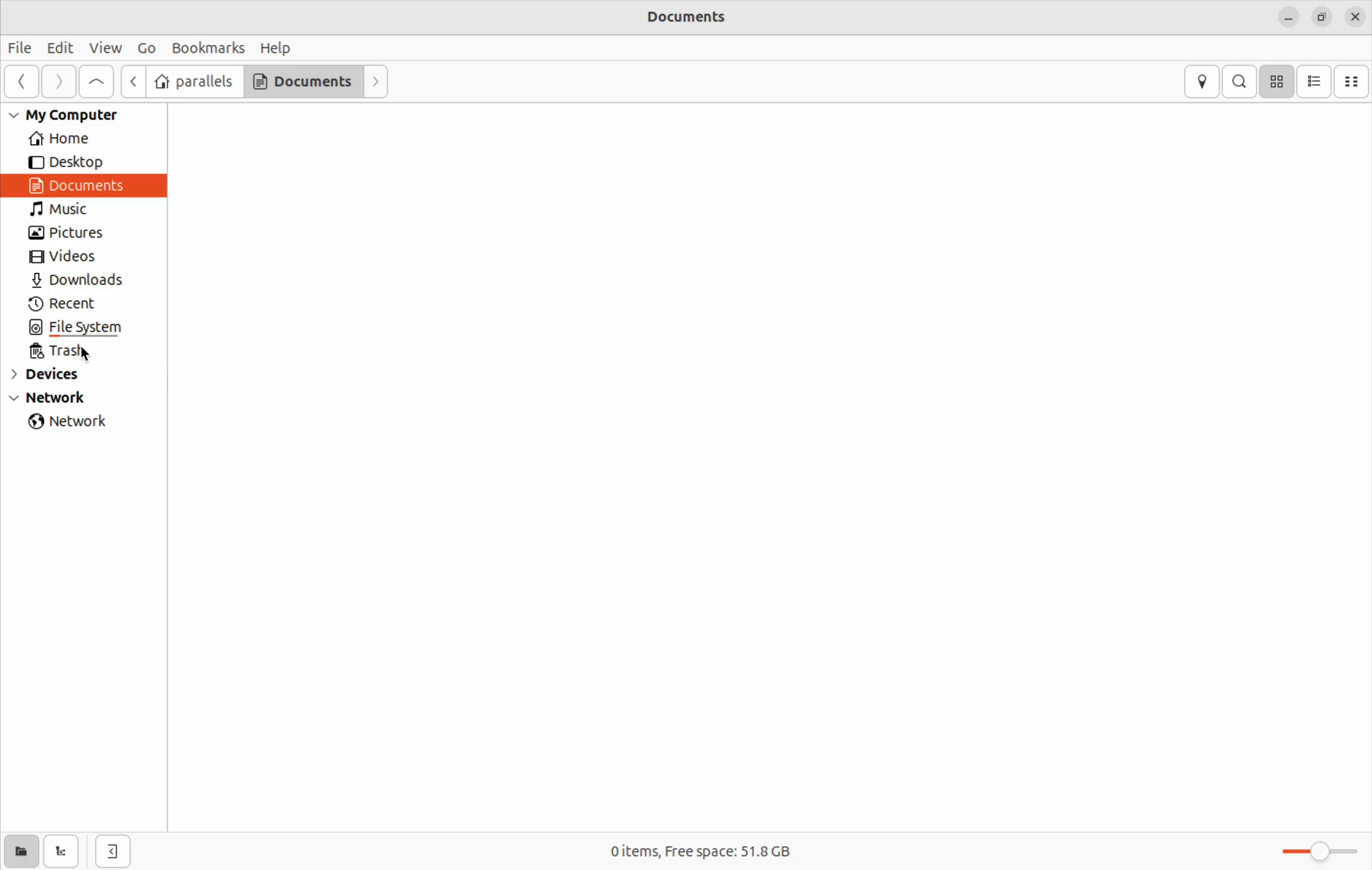 This screenshot has width=1372, height=870. Describe the element at coordinates (193, 81) in the screenshot. I see `parallels` at that location.